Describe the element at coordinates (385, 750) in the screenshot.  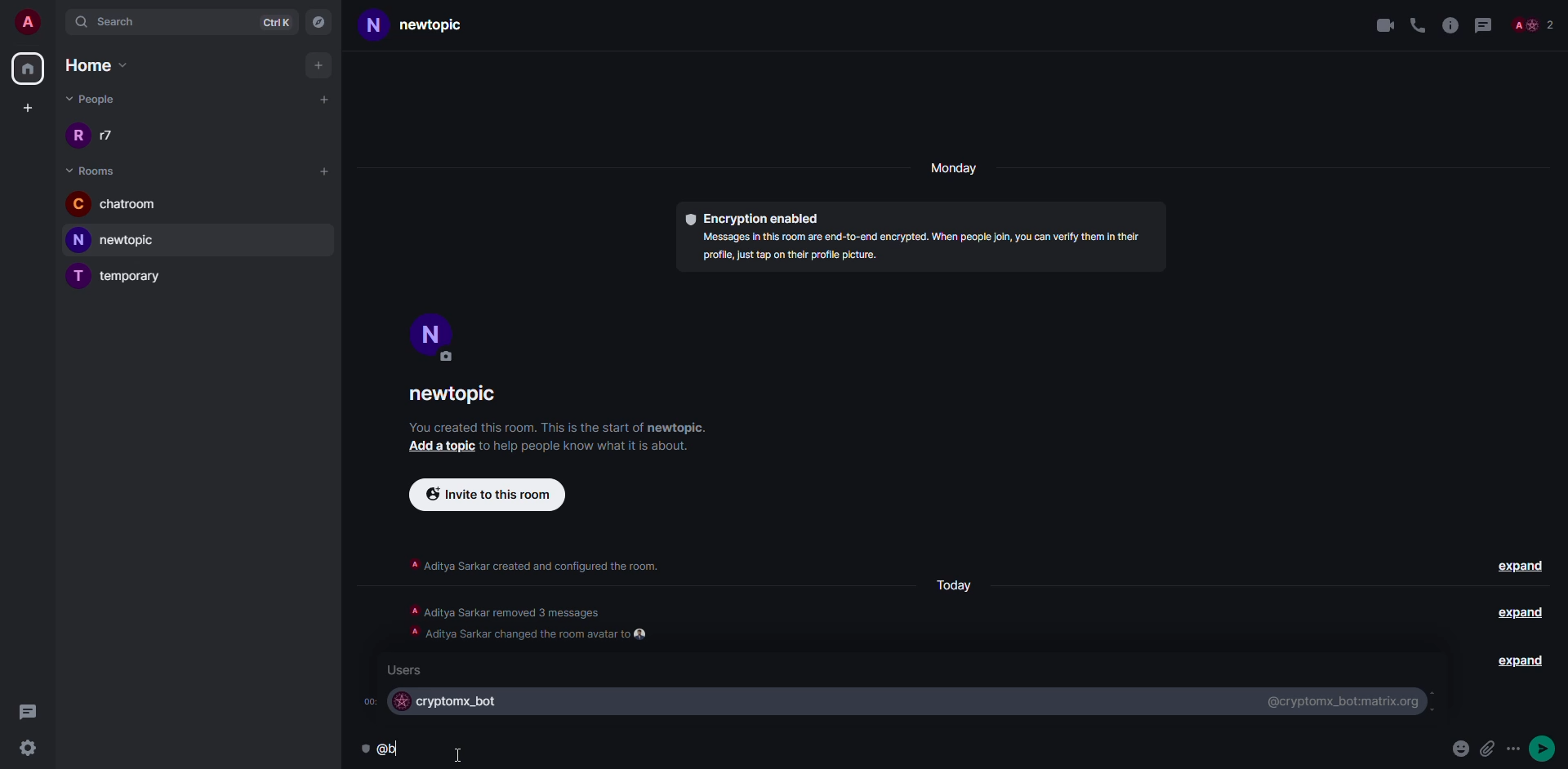
I see `@bo` at that location.